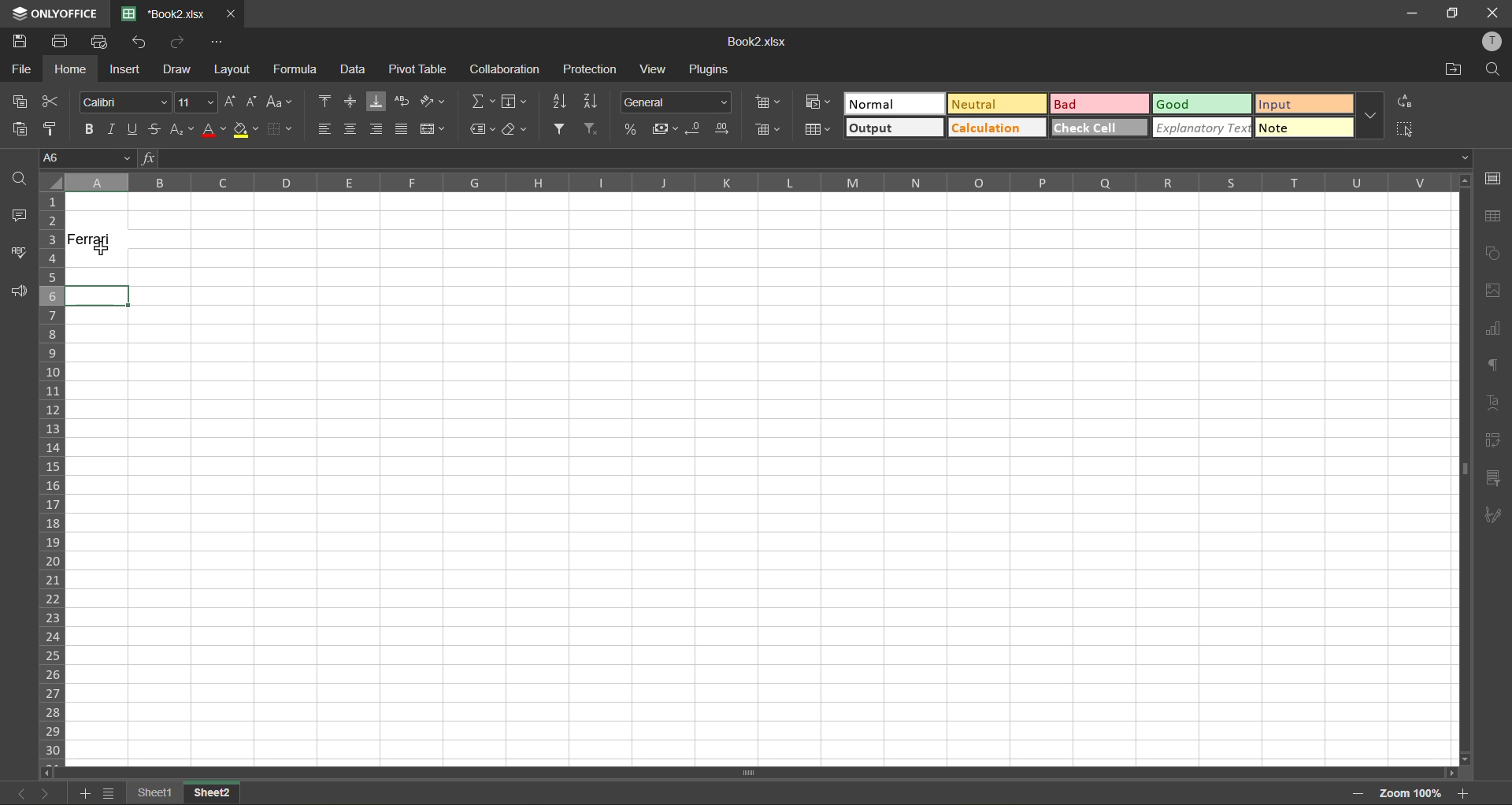  What do you see at coordinates (113, 126) in the screenshot?
I see `italic` at bounding box center [113, 126].